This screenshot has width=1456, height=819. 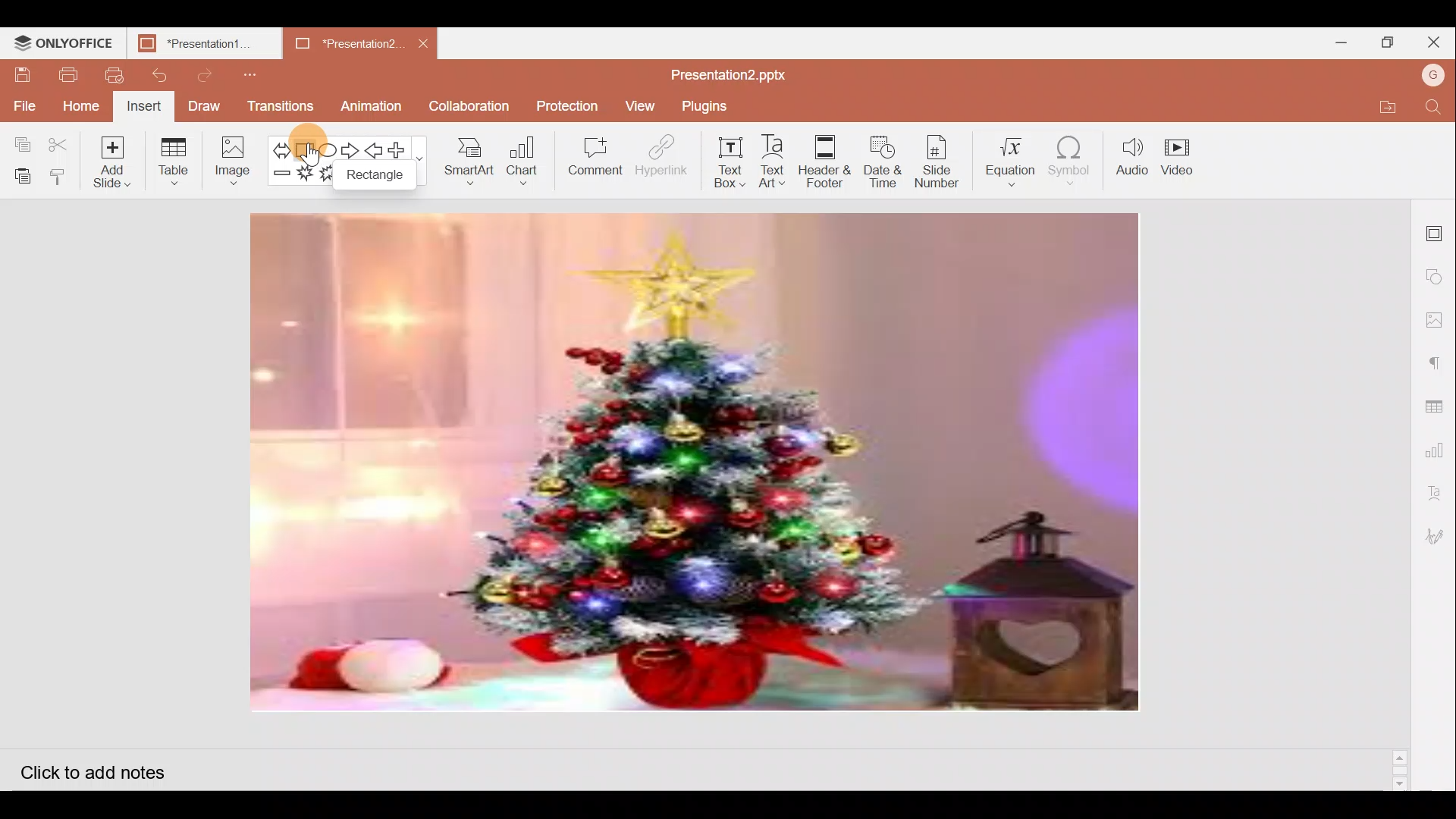 What do you see at coordinates (281, 146) in the screenshot?
I see `Left right arrow` at bounding box center [281, 146].